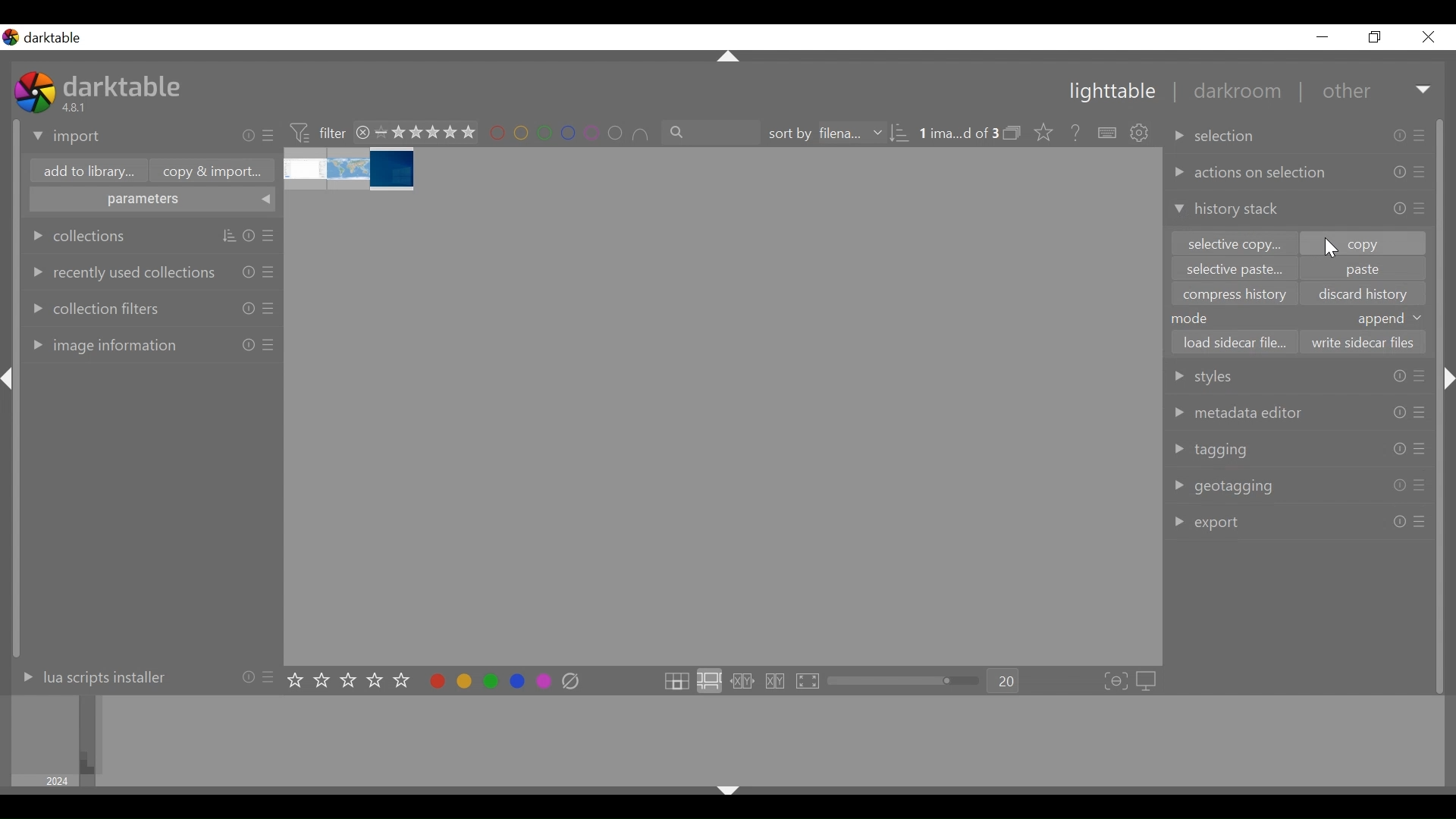 Image resolution: width=1456 pixels, height=819 pixels. What do you see at coordinates (1450, 379) in the screenshot?
I see `Collapse ` at bounding box center [1450, 379].